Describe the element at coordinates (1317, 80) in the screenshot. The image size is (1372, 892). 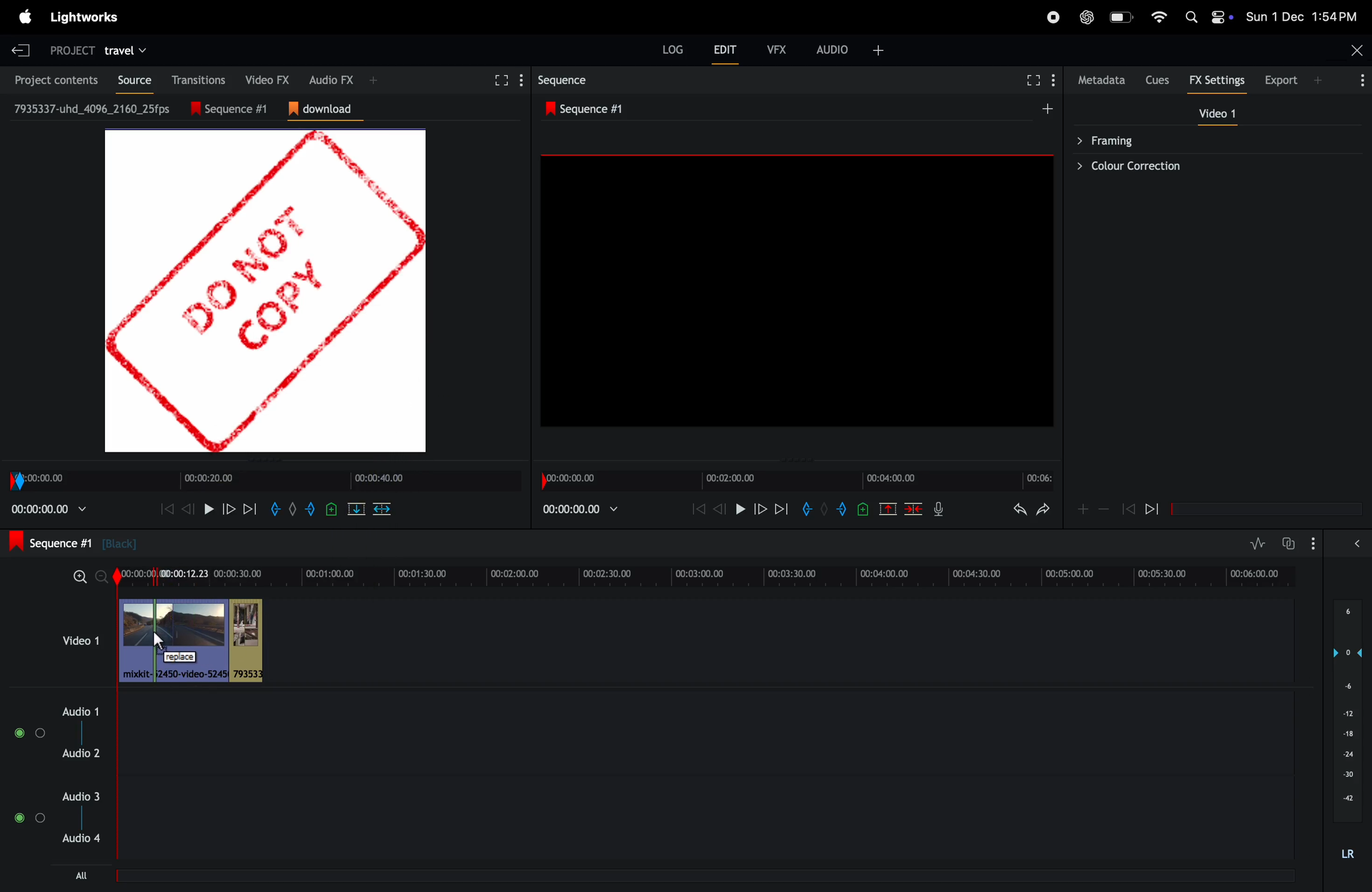
I see `Add` at that location.